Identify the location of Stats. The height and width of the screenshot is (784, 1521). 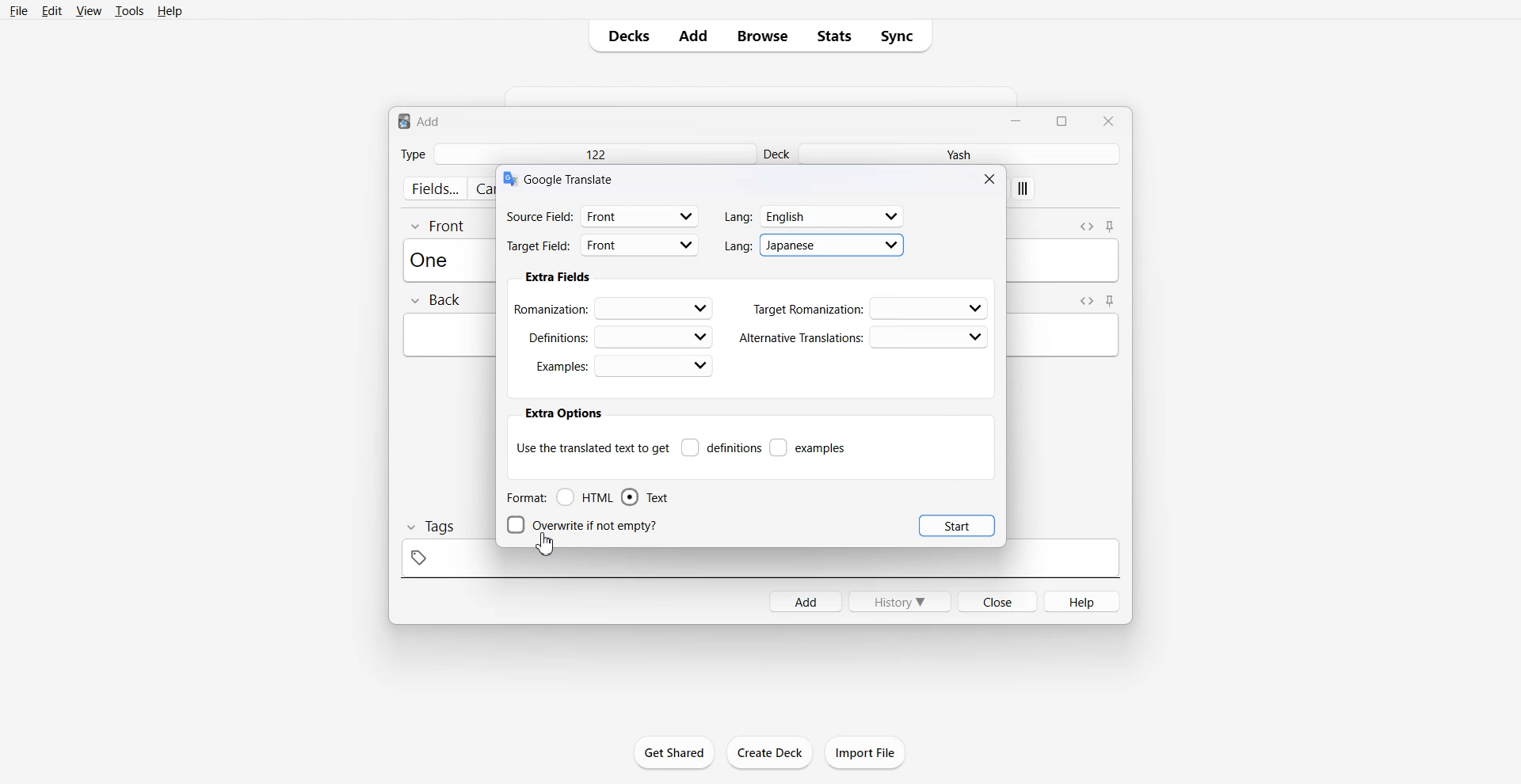
(833, 36).